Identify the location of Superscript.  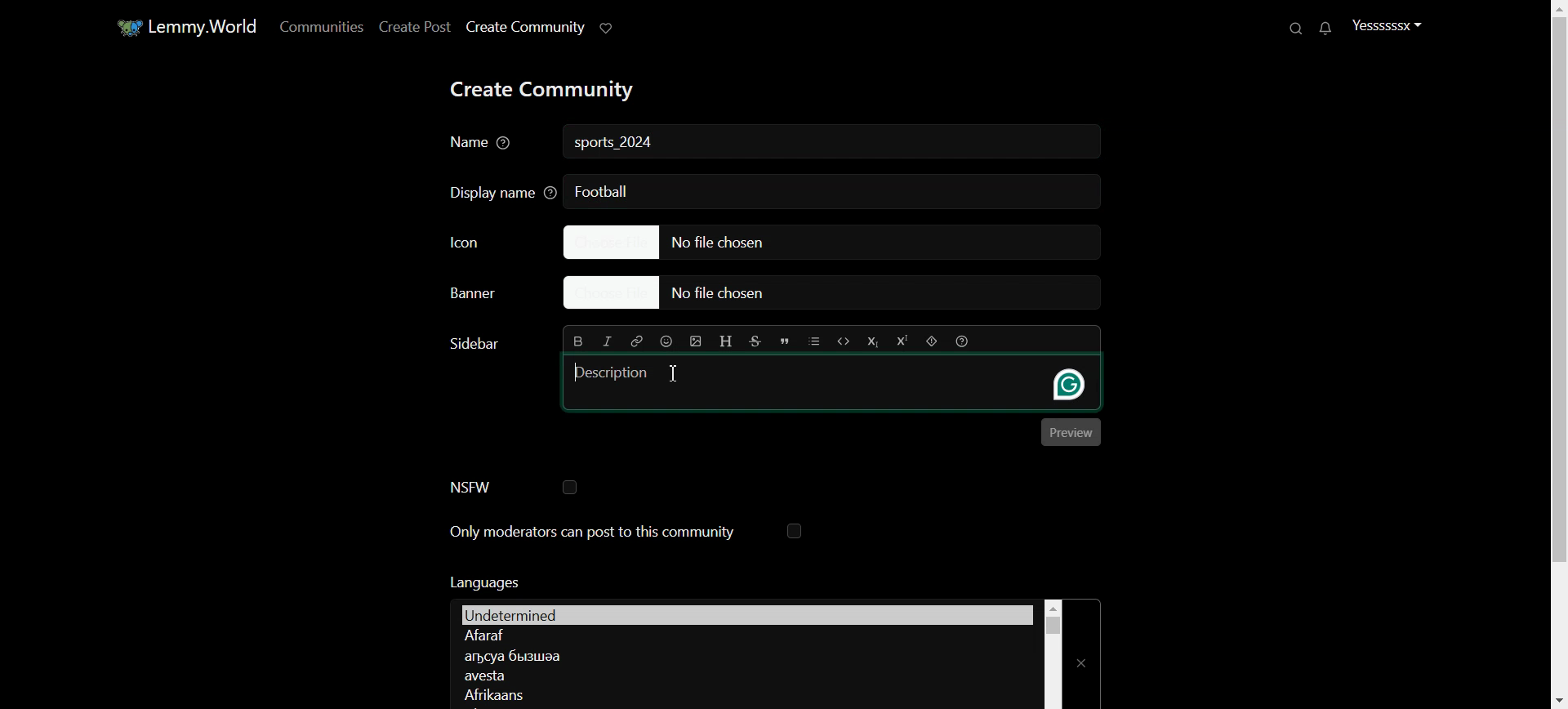
(901, 341).